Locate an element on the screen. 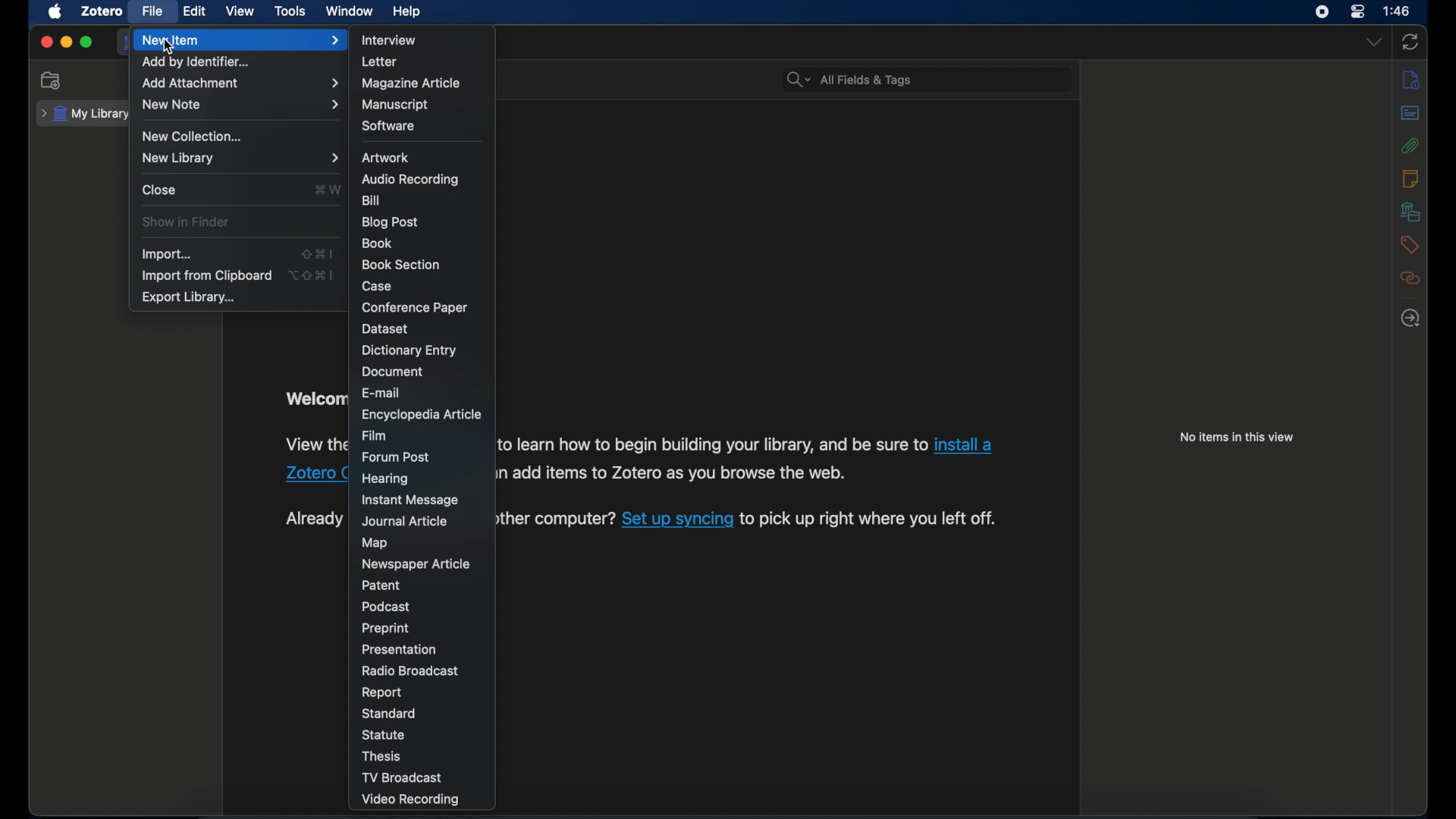  my library is located at coordinates (83, 114).